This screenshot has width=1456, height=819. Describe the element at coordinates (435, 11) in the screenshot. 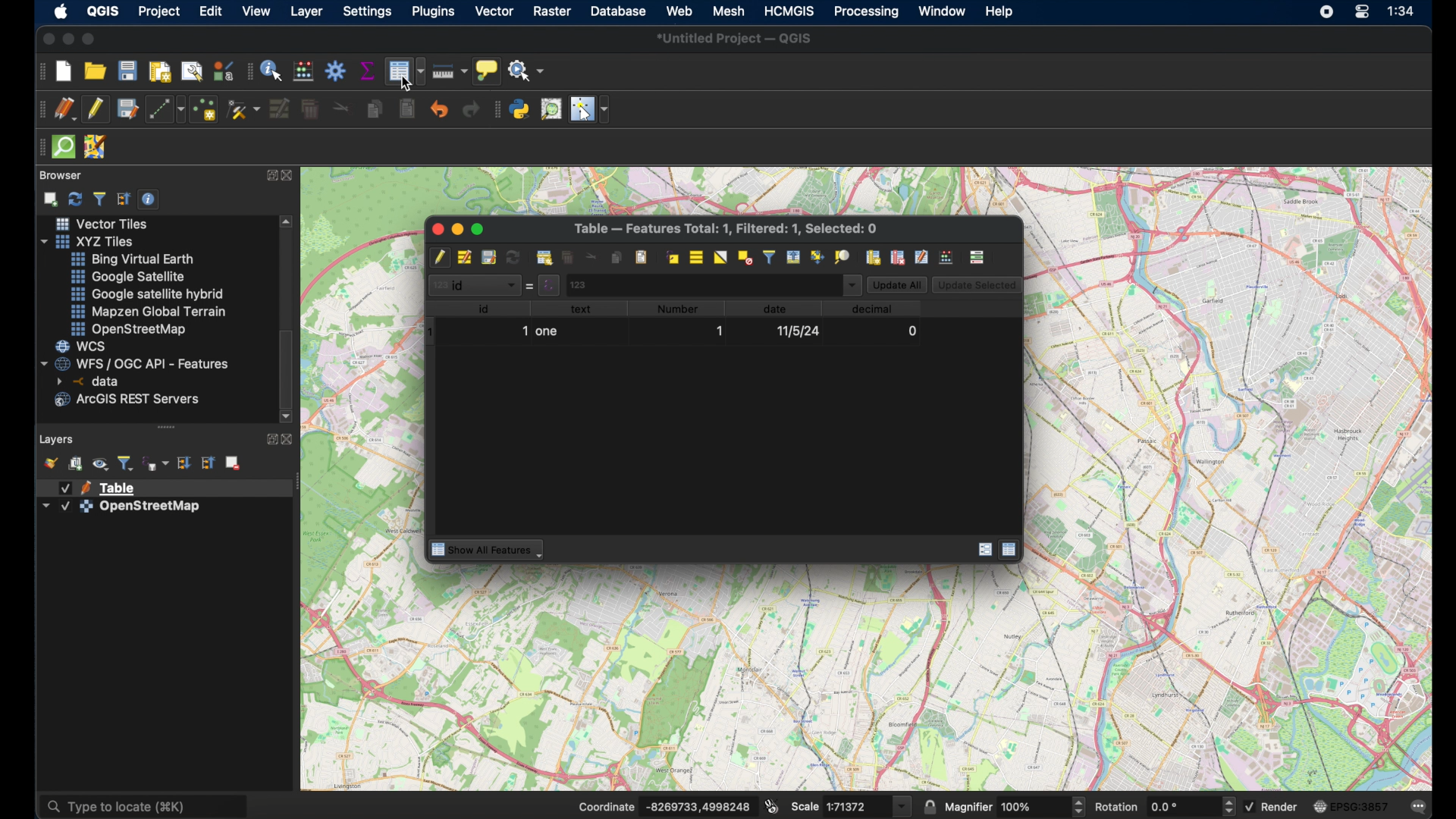

I see `plugins` at that location.